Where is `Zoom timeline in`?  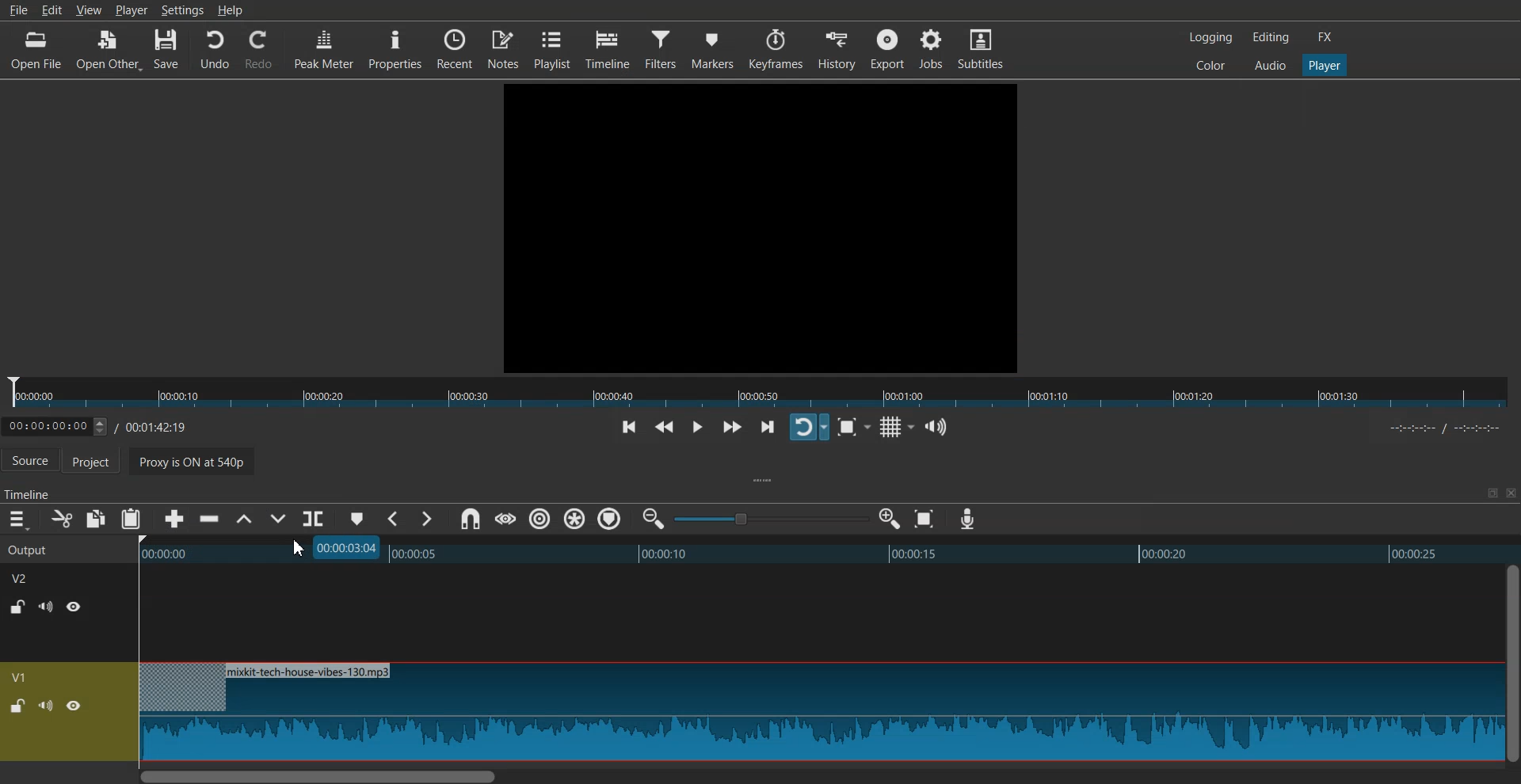
Zoom timeline in is located at coordinates (889, 519).